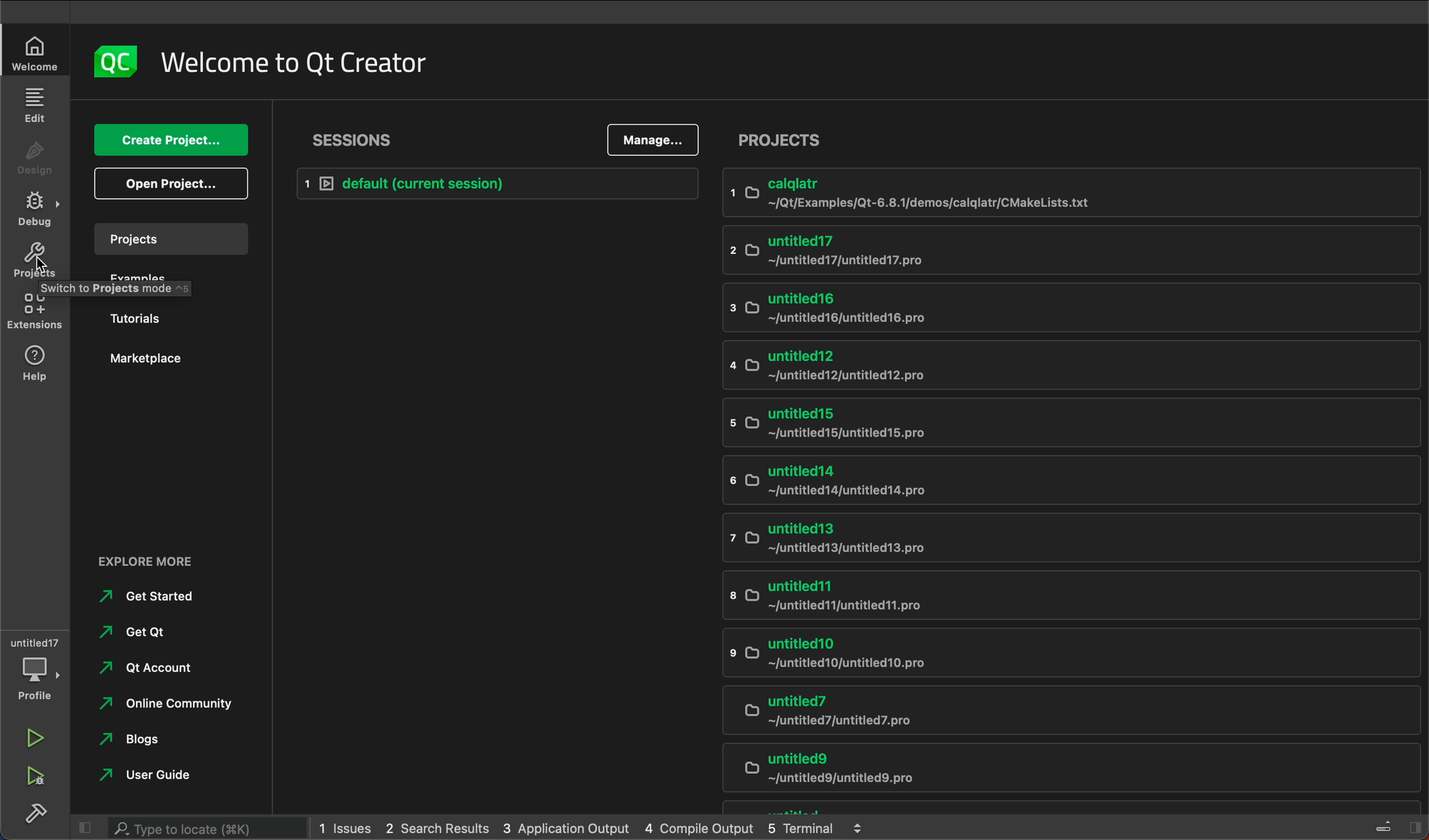 The image size is (1429, 840). I want to click on get qt, so click(155, 634).